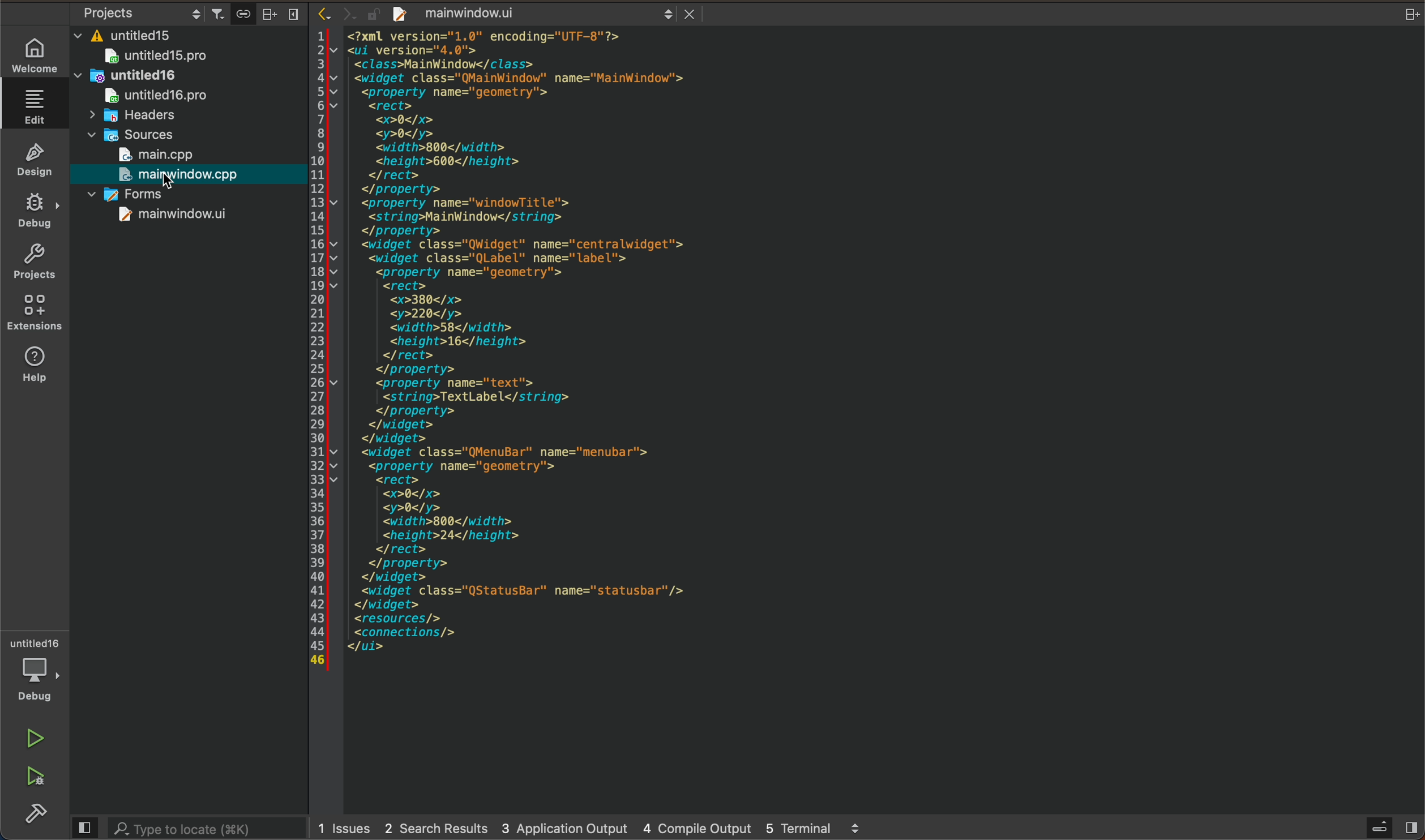 The image size is (1425, 840). Describe the element at coordinates (38, 779) in the screenshot. I see `run and debug` at that location.